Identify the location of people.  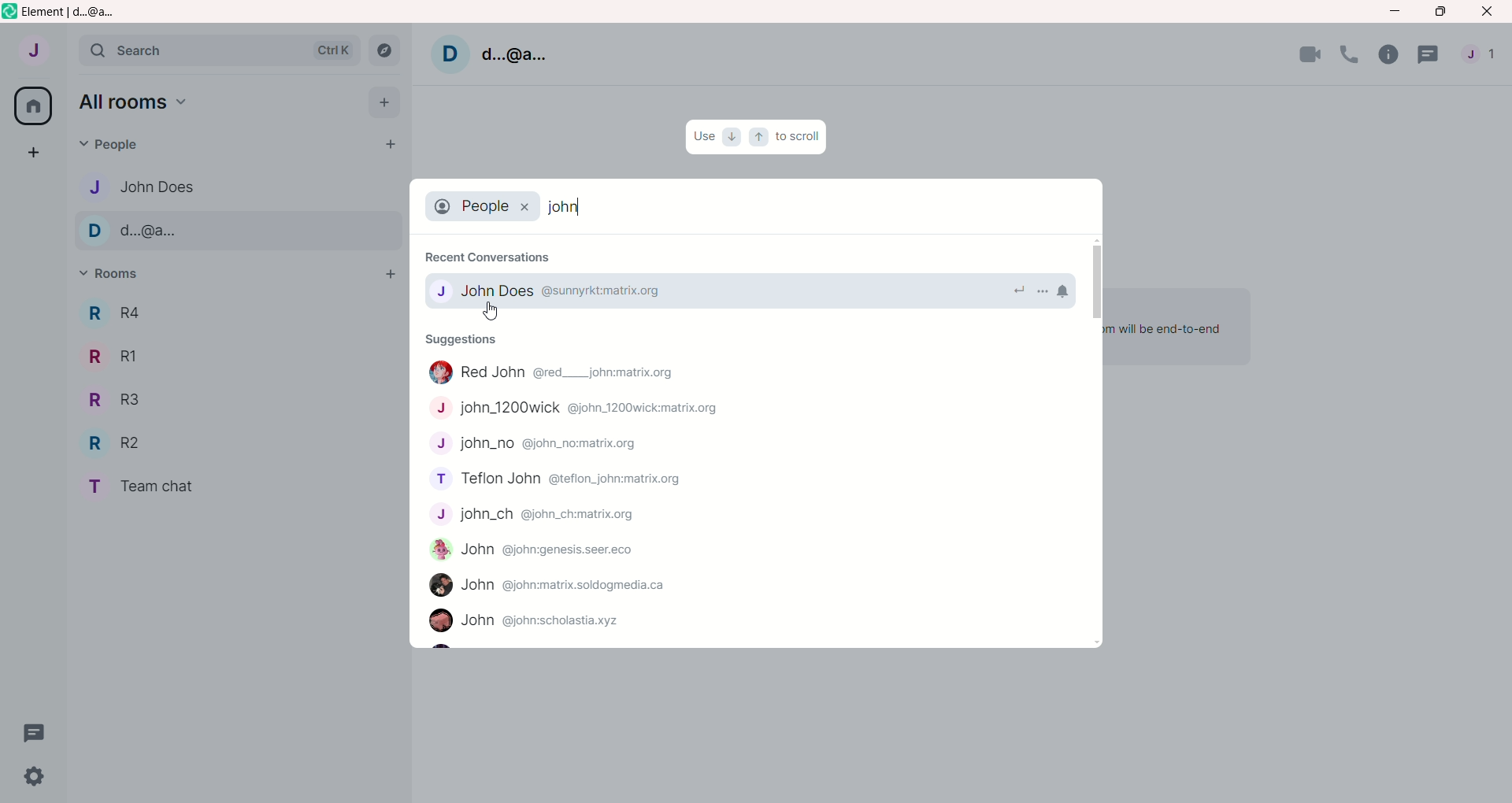
(485, 206).